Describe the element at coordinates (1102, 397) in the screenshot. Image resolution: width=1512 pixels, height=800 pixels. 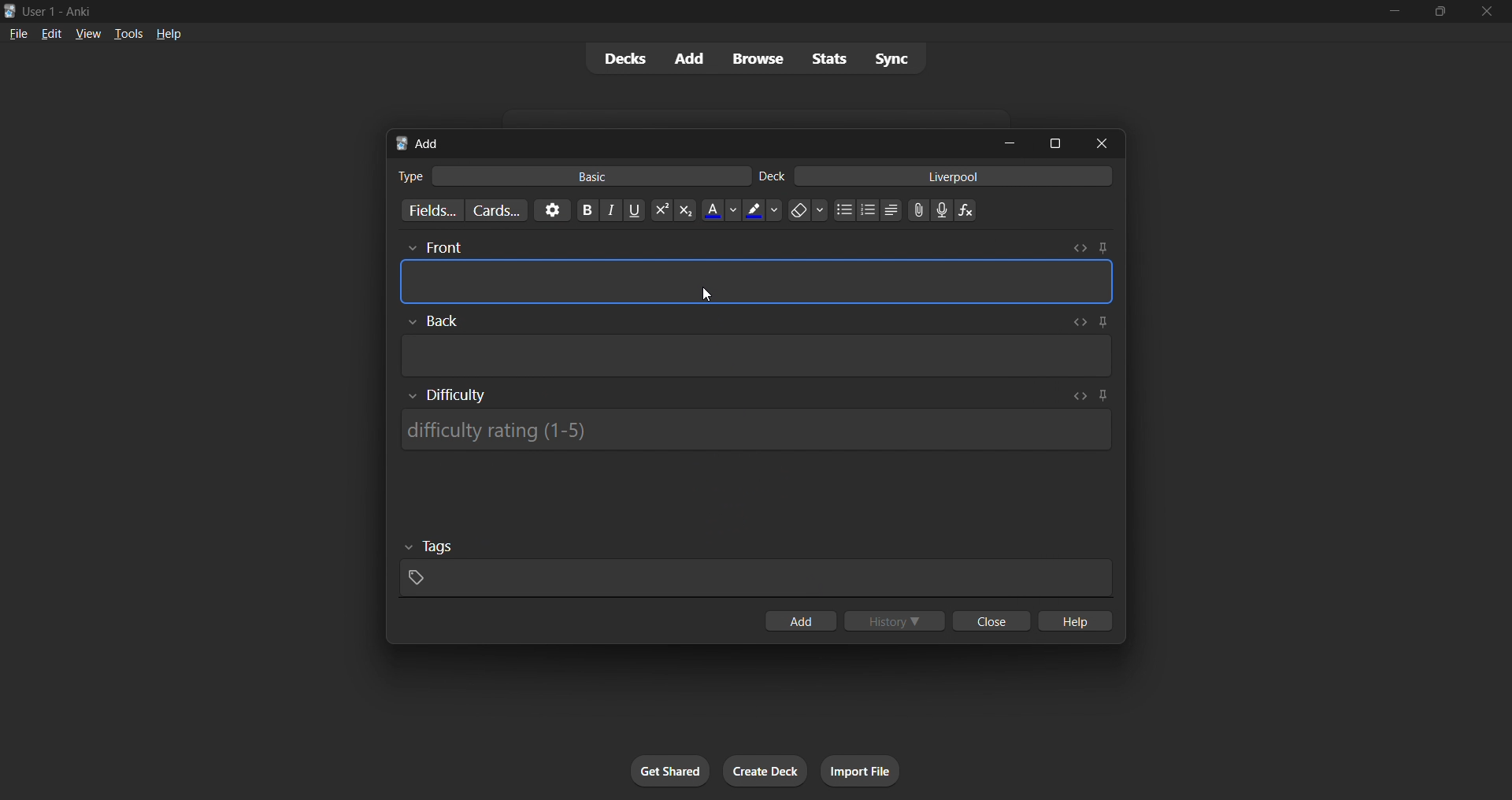
I see `Toggle sticky` at that location.